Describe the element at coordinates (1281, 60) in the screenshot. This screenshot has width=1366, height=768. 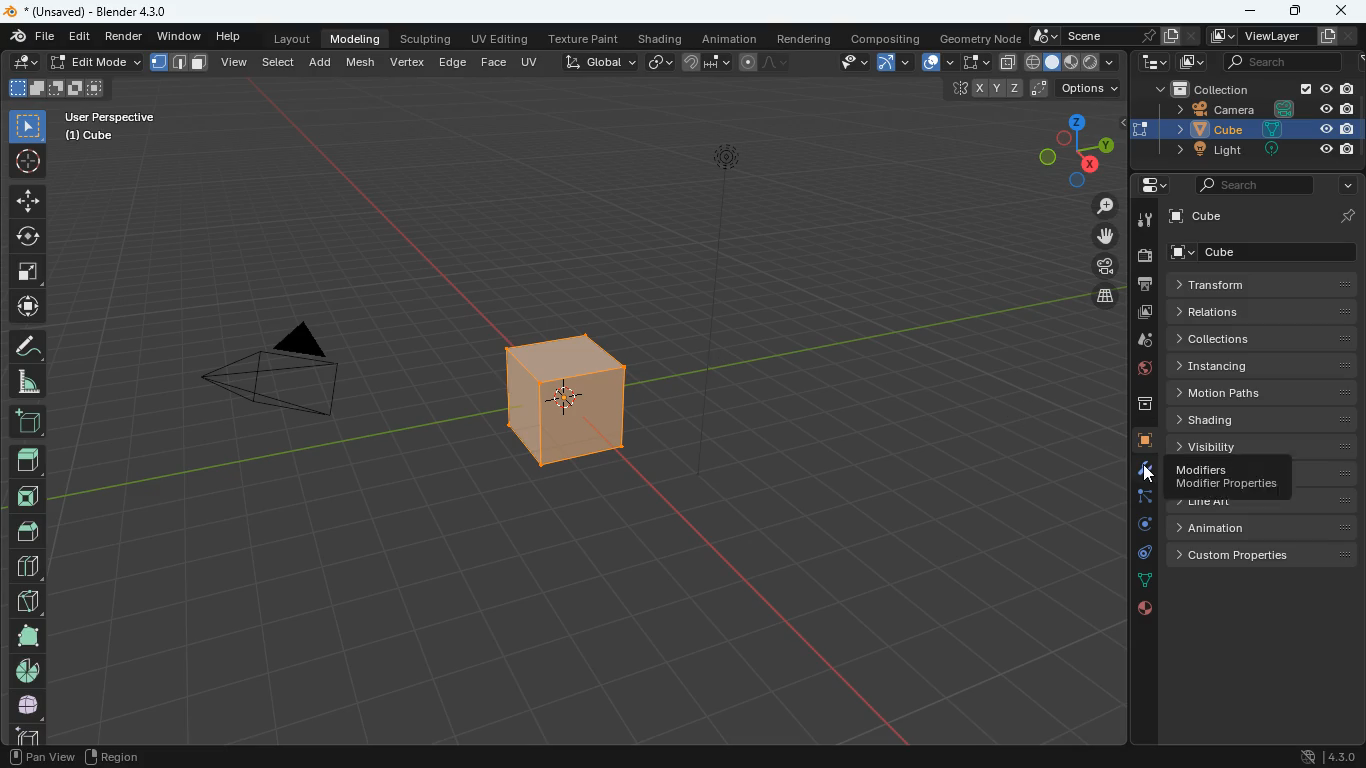
I see `scene` at that location.